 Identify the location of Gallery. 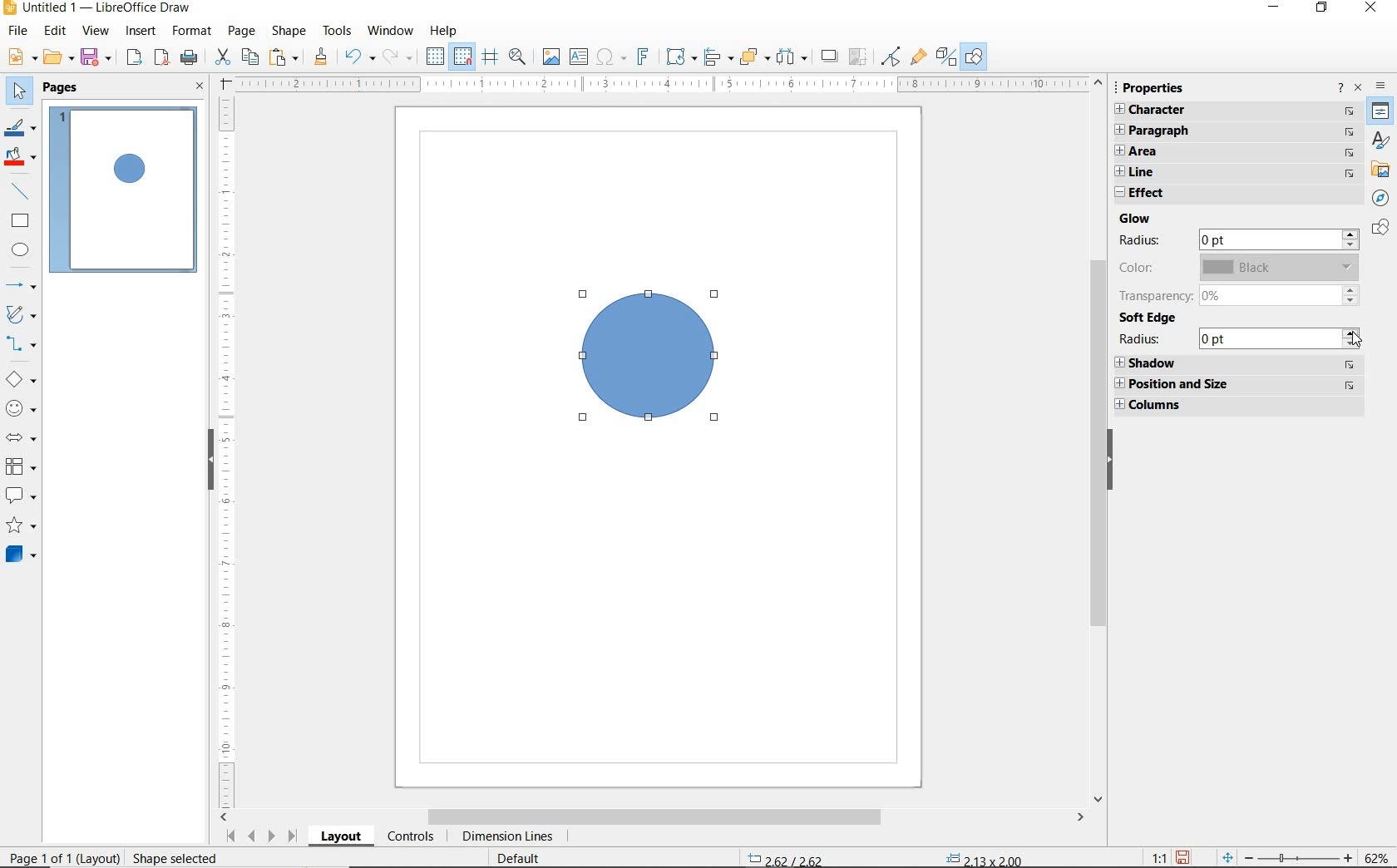
(1380, 170).